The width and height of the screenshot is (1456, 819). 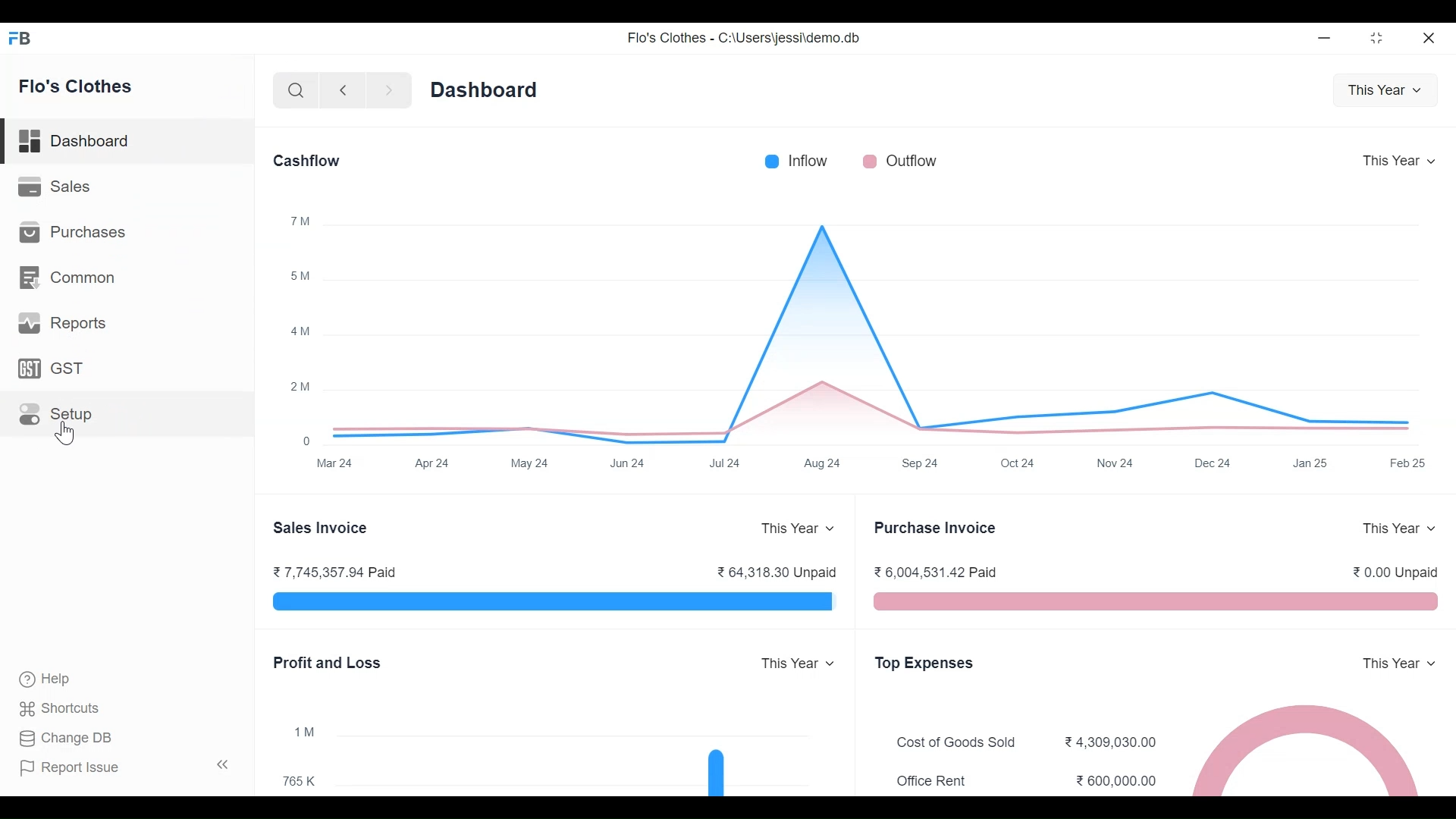 What do you see at coordinates (334, 463) in the screenshot?
I see `Mar 24` at bounding box center [334, 463].